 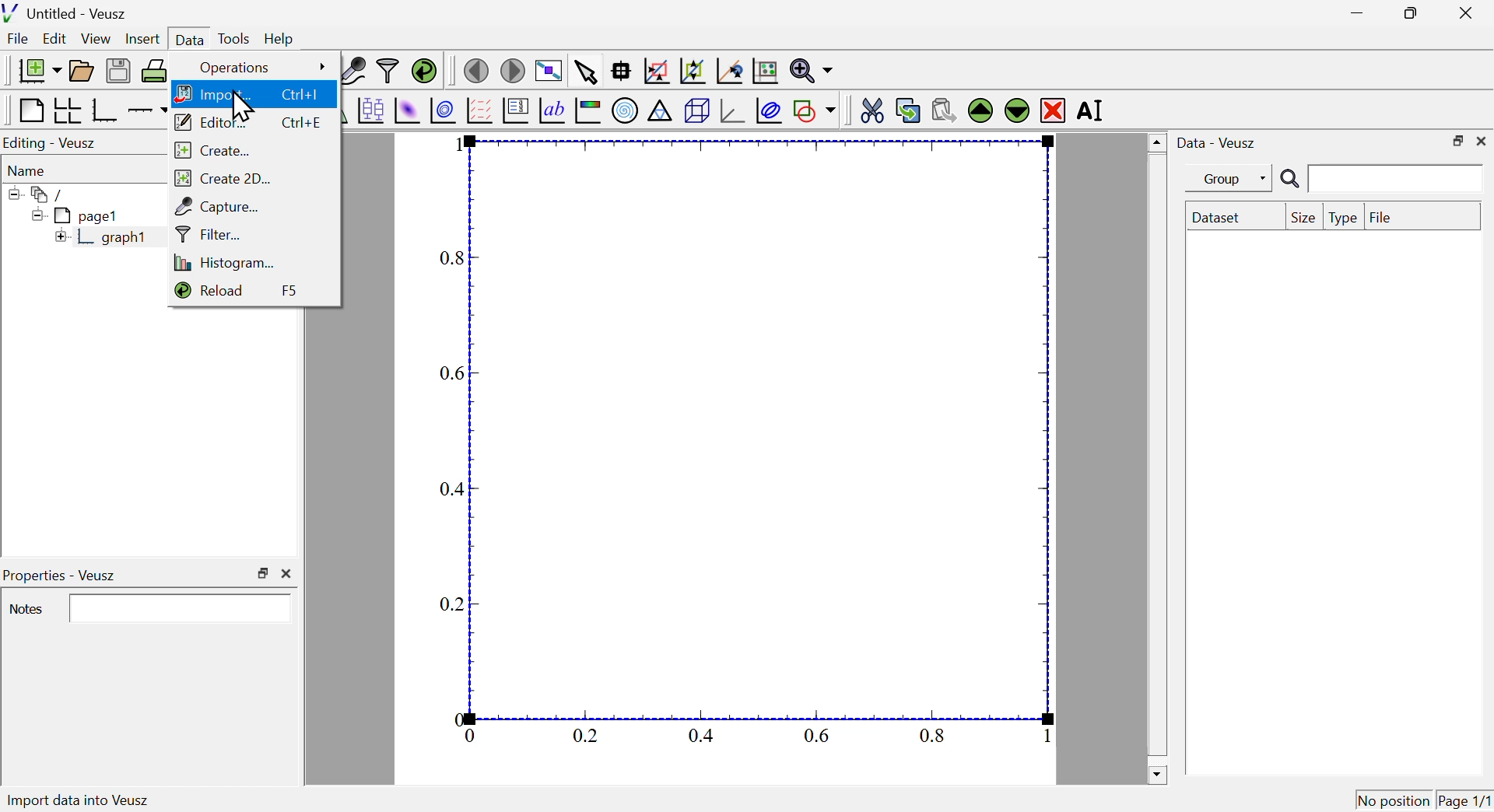 What do you see at coordinates (1156, 458) in the screenshot?
I see `scrollbar` at bounding box center [1156, 458].